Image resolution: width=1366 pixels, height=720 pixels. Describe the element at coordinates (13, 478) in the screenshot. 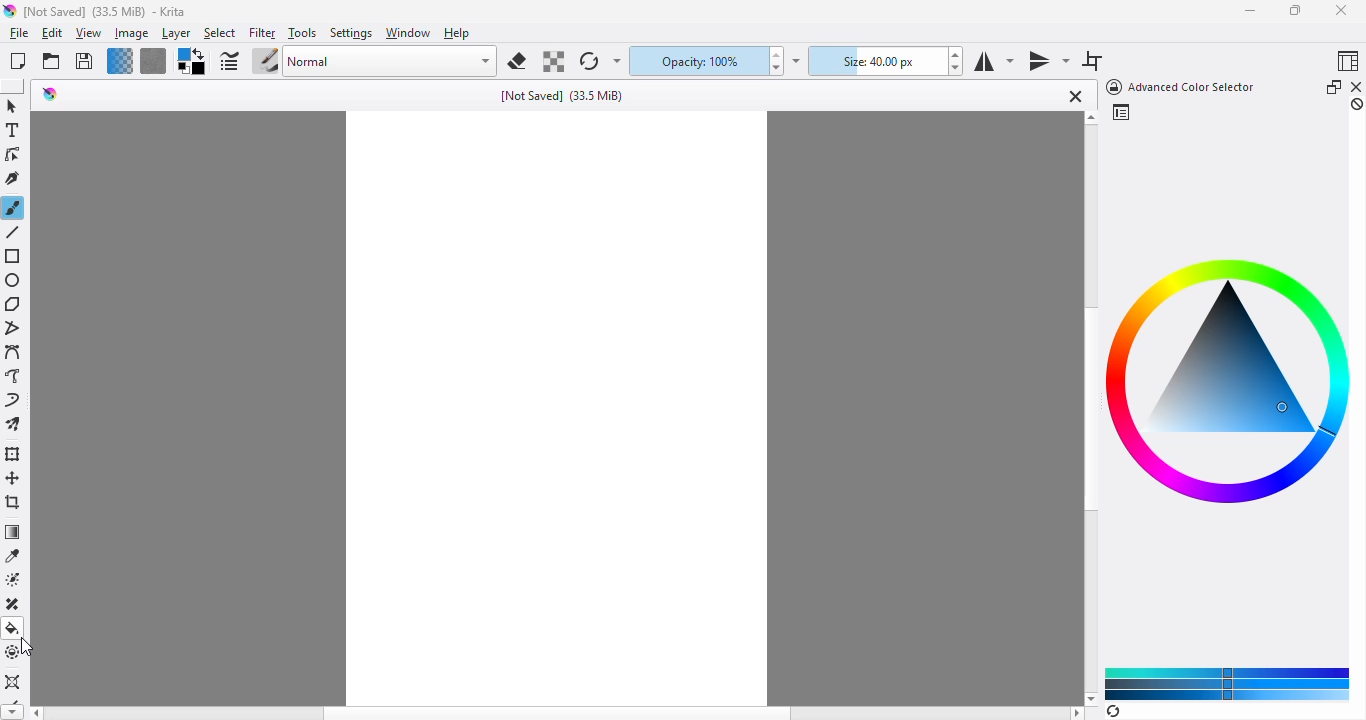

I see `move a layer` at that location.